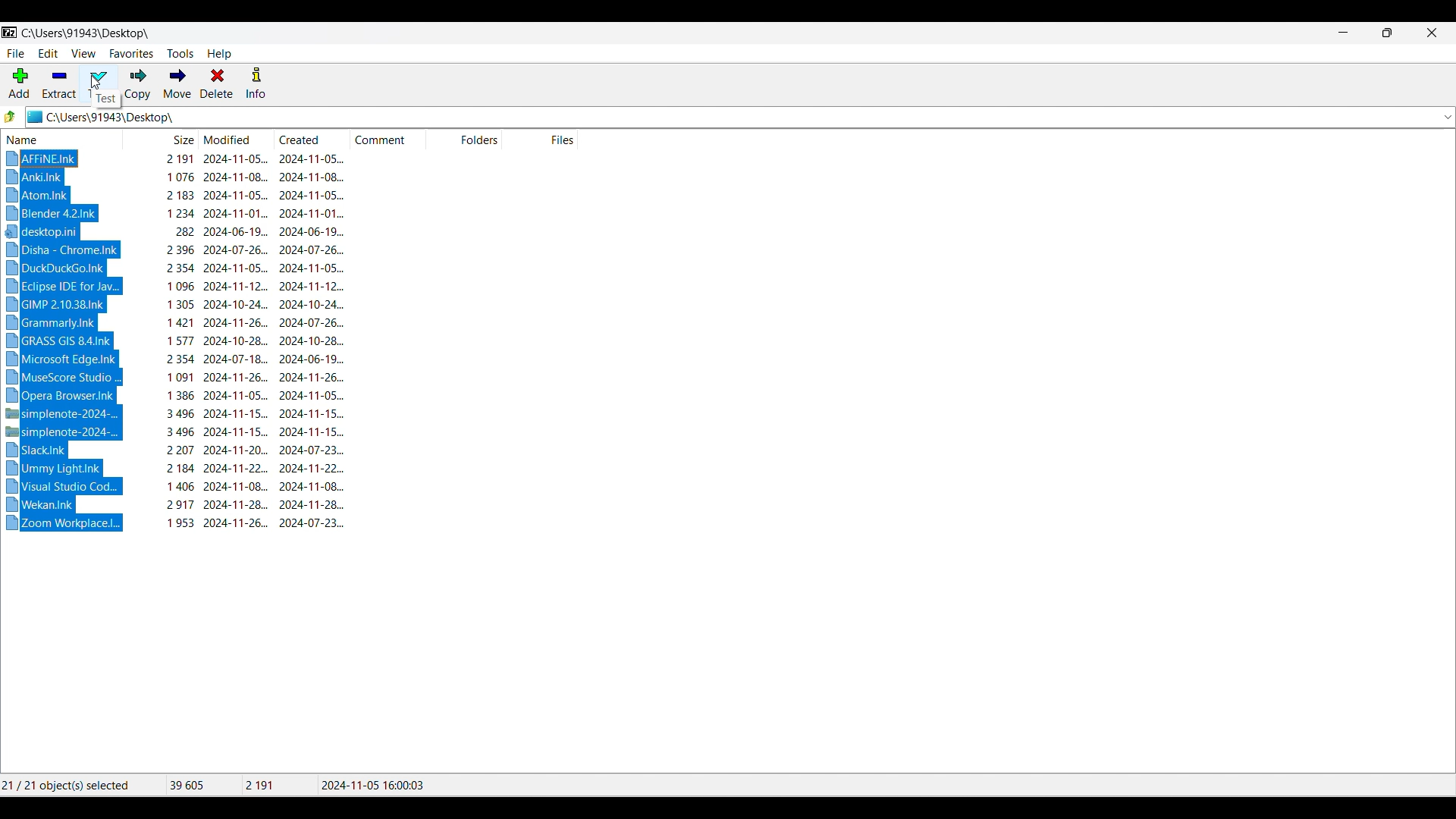  I want to click on Files column, so click(540, 139).